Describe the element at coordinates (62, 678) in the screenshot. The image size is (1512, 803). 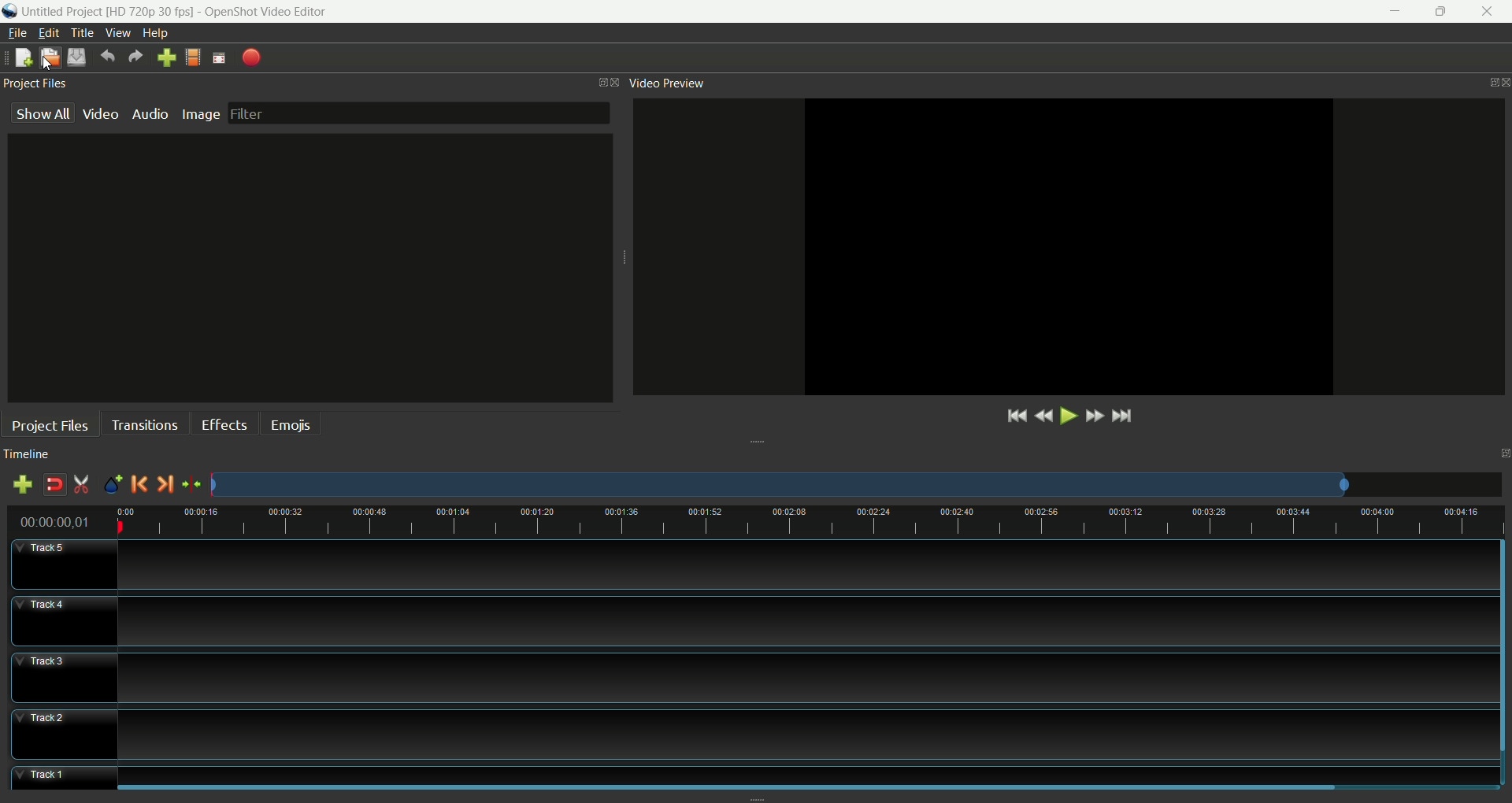
I see `track3` at that location.